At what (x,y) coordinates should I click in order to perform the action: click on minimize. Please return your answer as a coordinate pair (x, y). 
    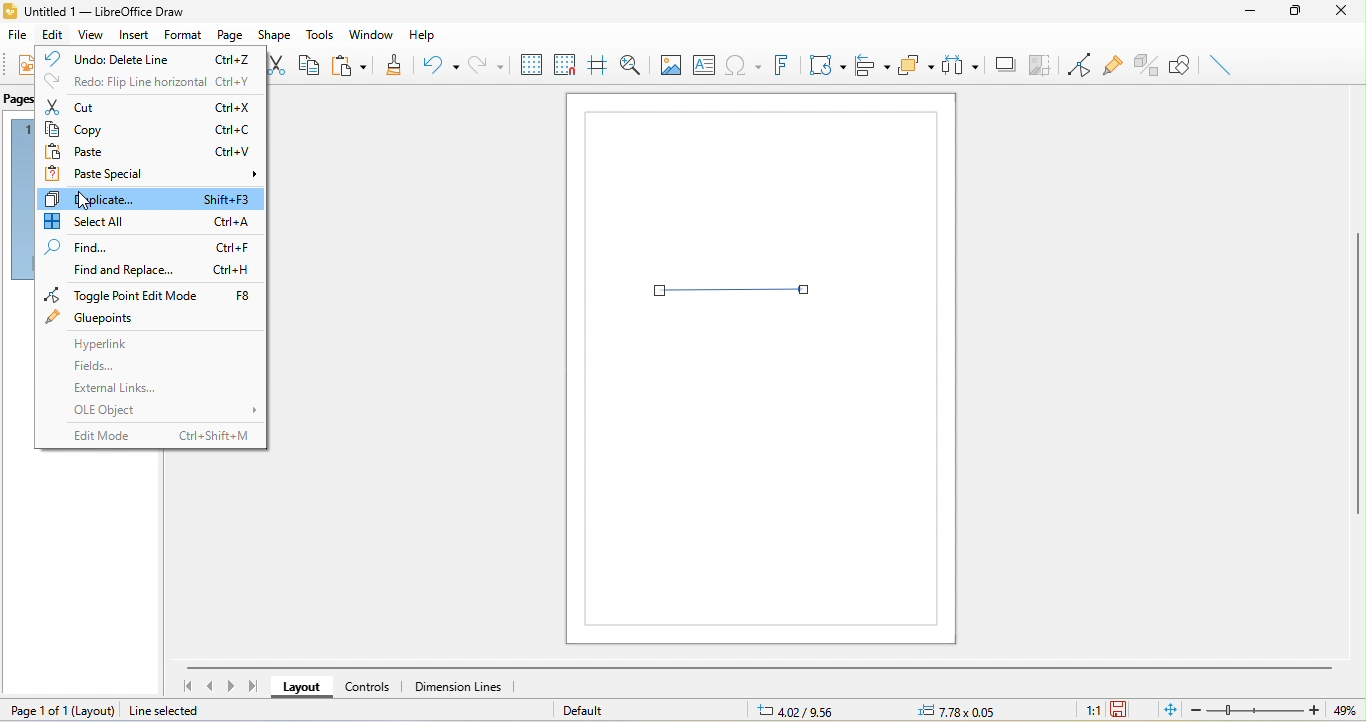
    Looking at the image, I should click on (1250, 15).